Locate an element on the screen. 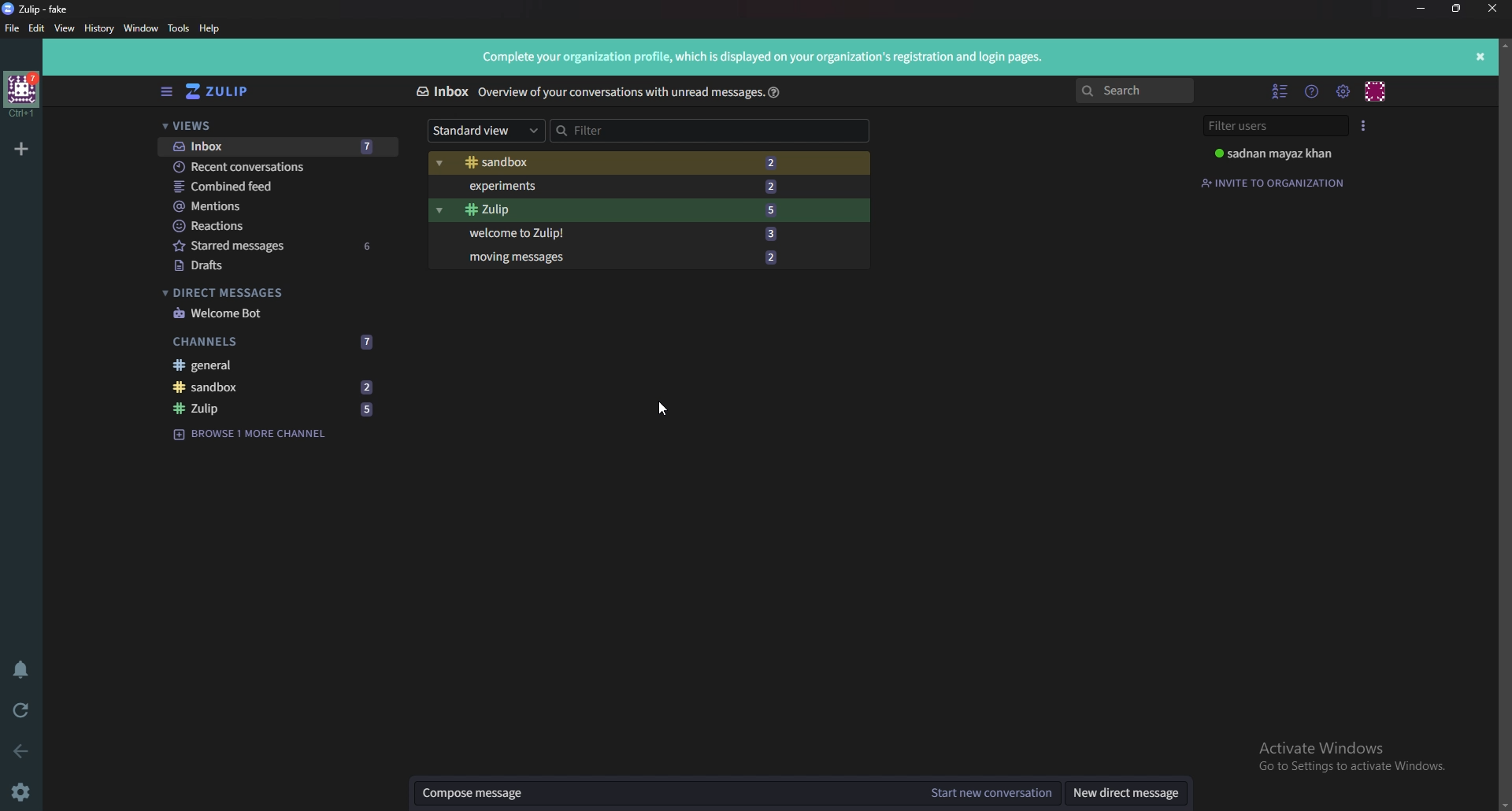 Image resolution: width=1512 pixels, height=811 pixels. Compose message is located at coordinates (666, 794).